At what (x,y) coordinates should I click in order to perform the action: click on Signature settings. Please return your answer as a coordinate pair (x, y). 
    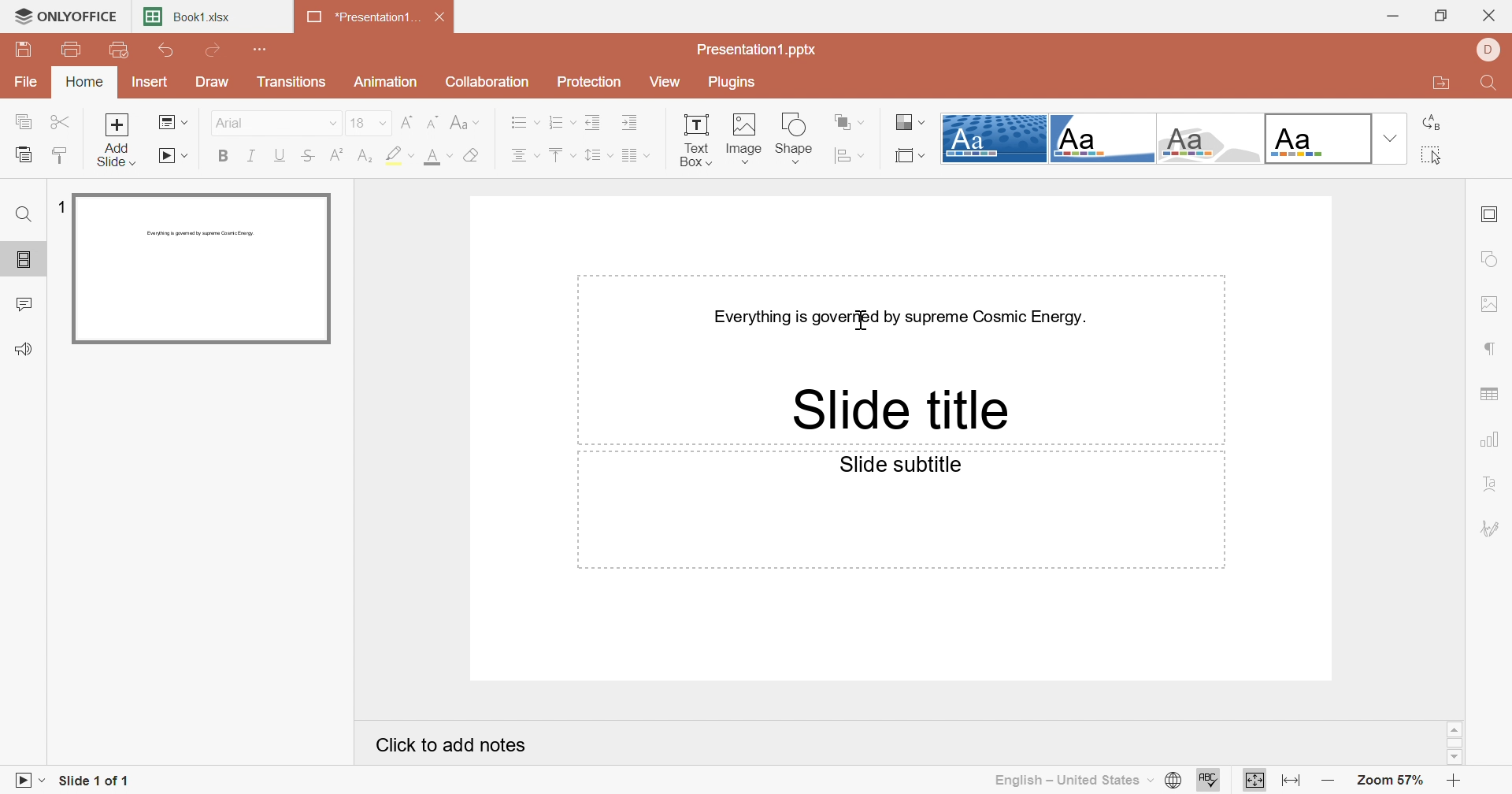
    Looking at the image, I should click on (1492, 528).